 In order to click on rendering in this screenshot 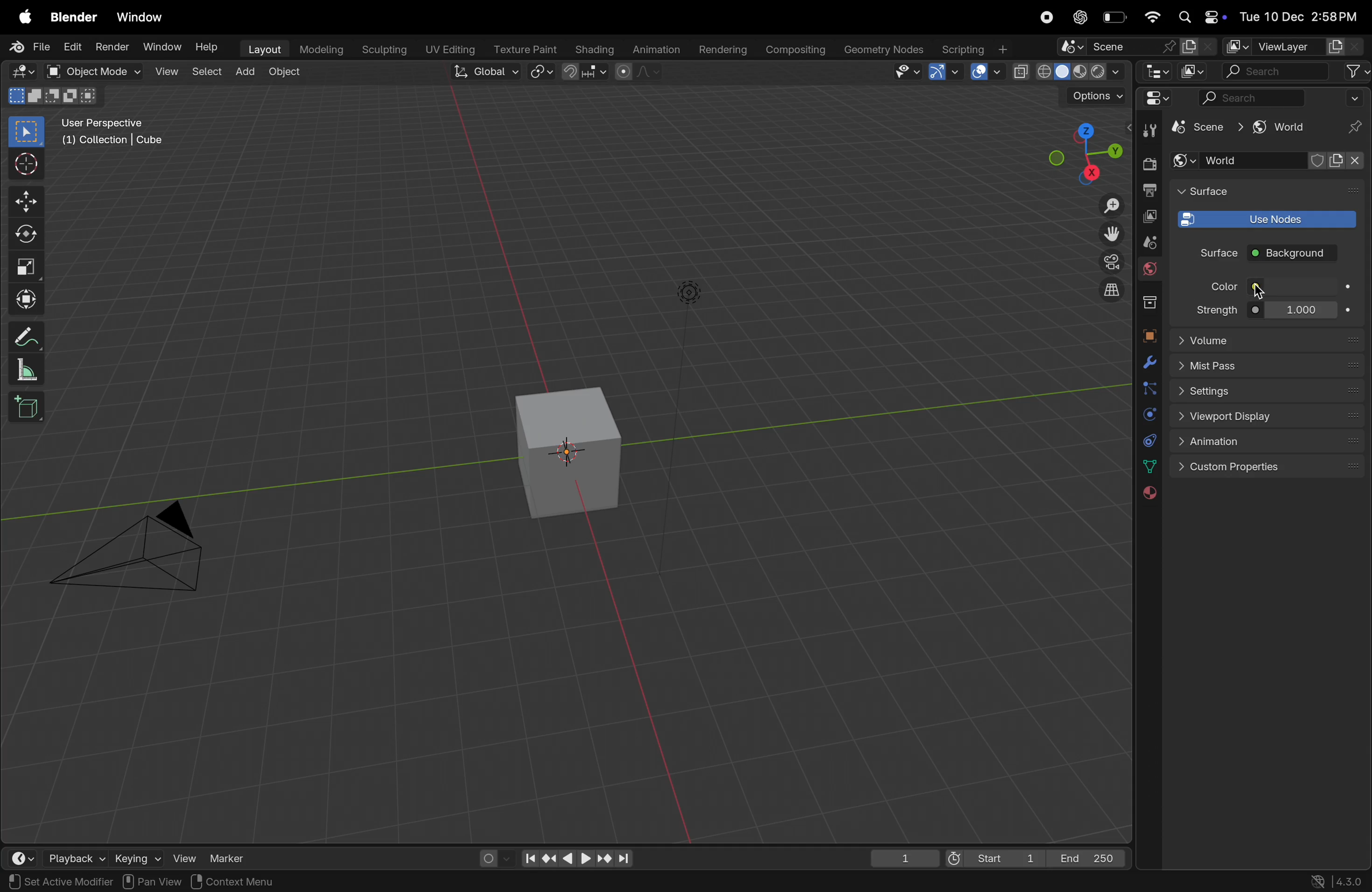, I will do `click(721, 50)`.